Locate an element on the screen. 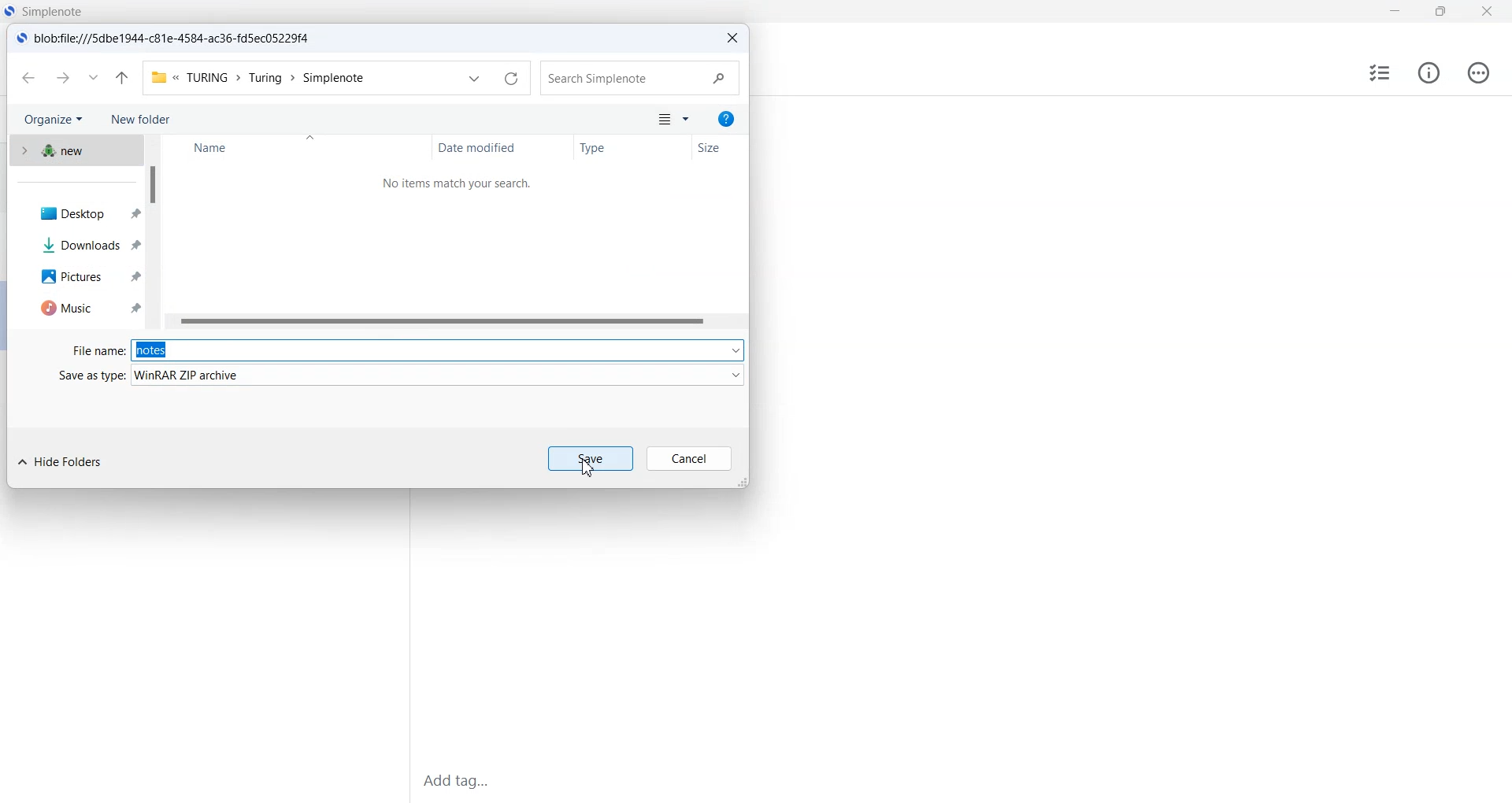 The image size is (1512, 803). Back is located at coordinates (28, 78).